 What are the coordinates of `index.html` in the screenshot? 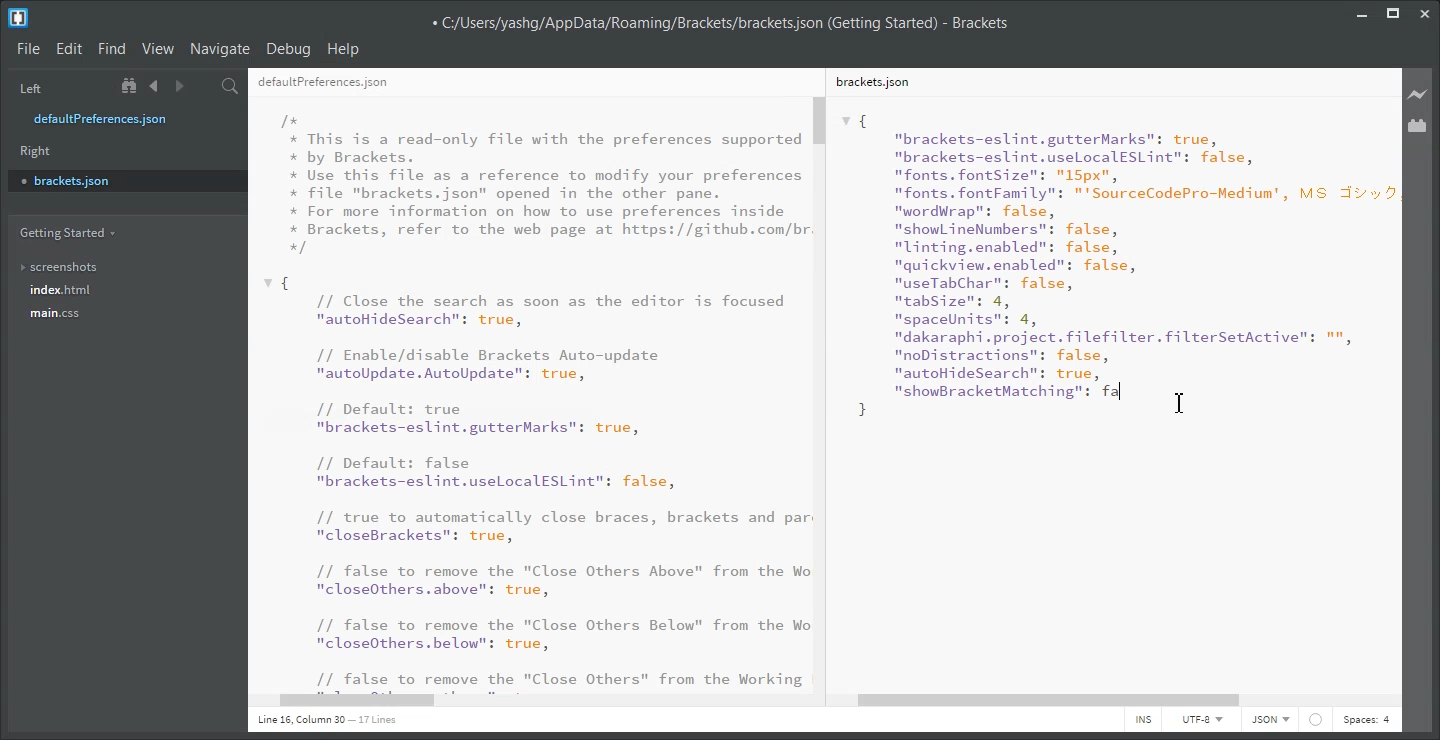 It's located at (61, 290).